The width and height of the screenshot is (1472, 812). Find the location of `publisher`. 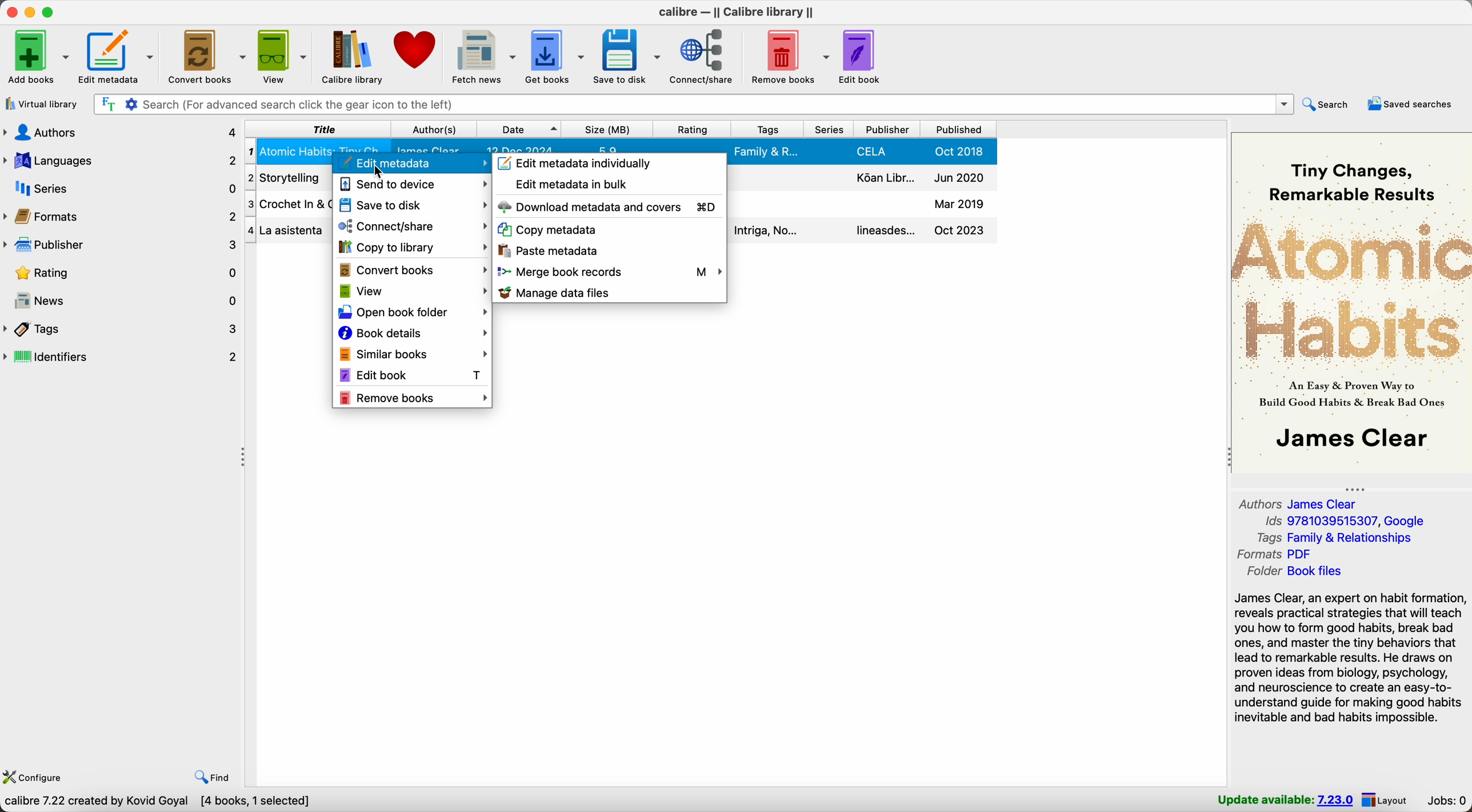

publisher is located at coordinates (890, 129).